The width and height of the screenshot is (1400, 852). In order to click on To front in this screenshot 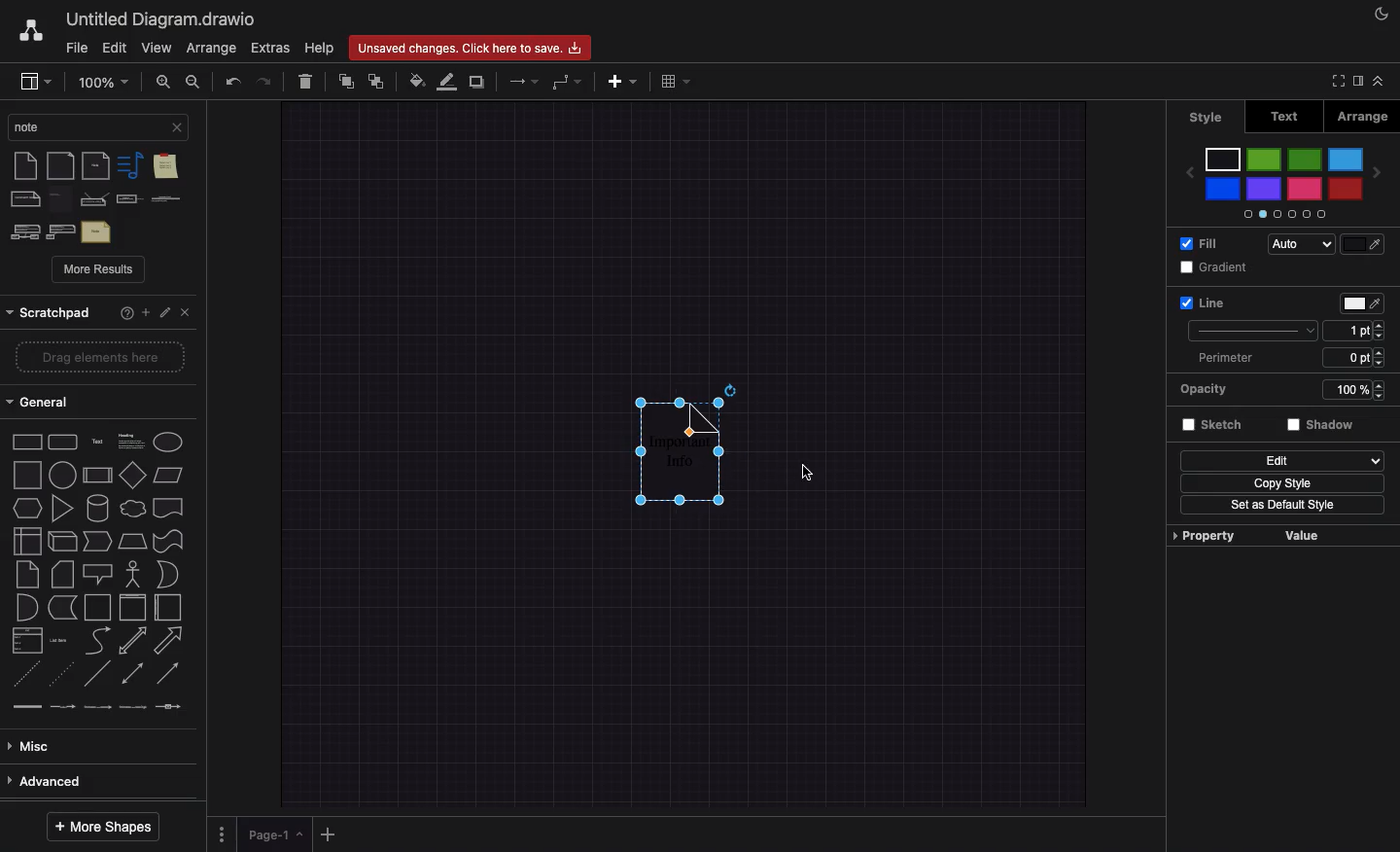, I will do `click(345, 83)`.